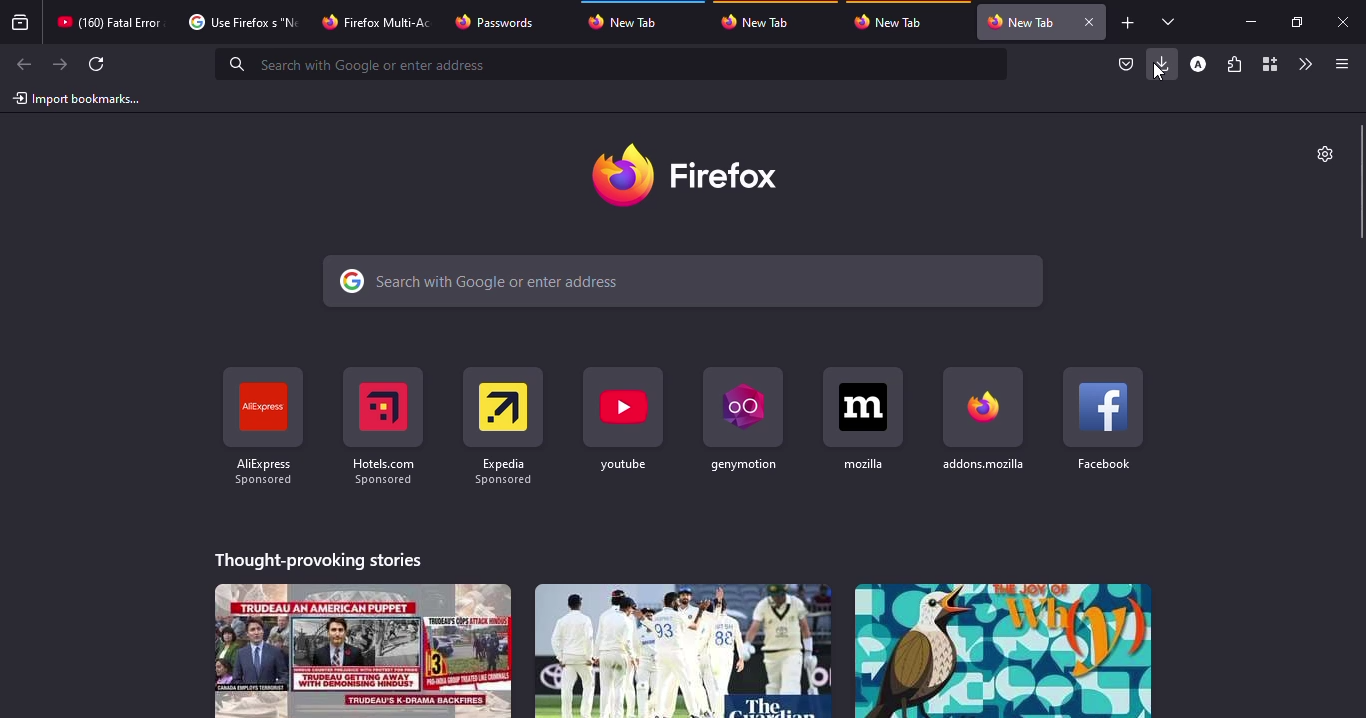 The width and height of the screenshot is (1366, 718). What do you see at coordinates (1338, 64) in the screenshot?
I see `menu` at bounding box center [1338, 64].